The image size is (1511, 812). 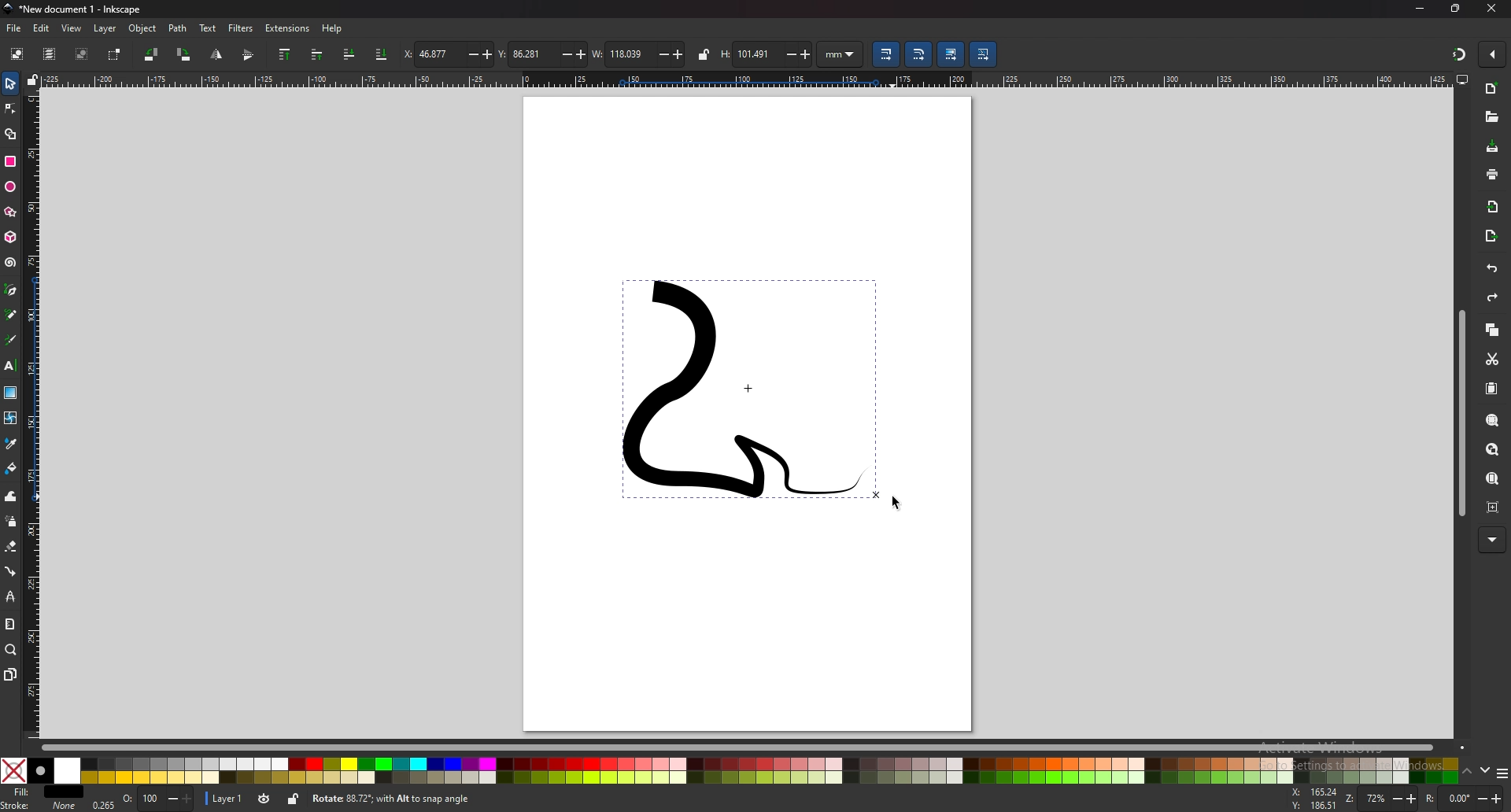 I want to click on rotate 90 degree ccw, so click(x=150, y=55).